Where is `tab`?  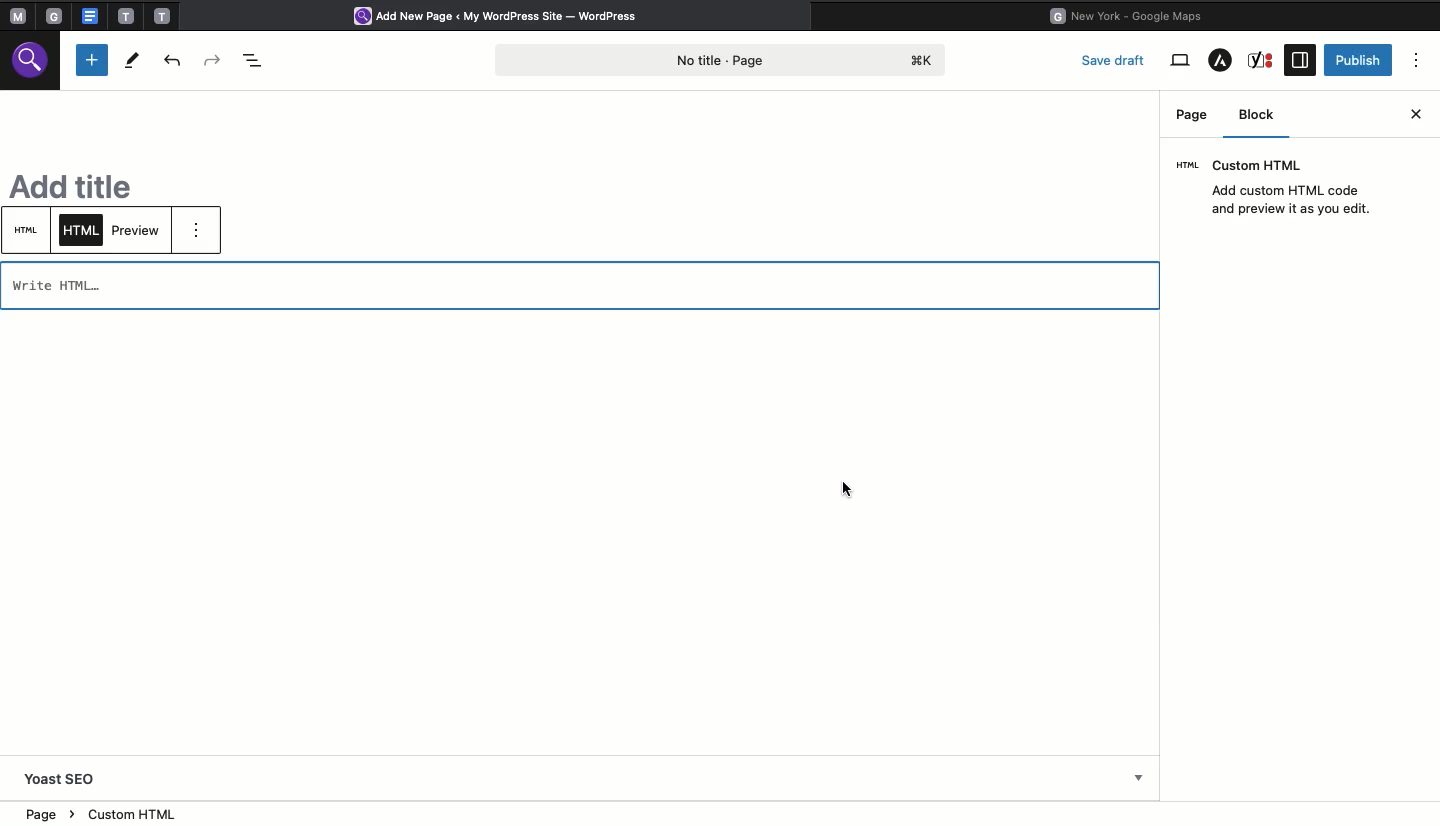
tab is located at coordinates (126, 16).